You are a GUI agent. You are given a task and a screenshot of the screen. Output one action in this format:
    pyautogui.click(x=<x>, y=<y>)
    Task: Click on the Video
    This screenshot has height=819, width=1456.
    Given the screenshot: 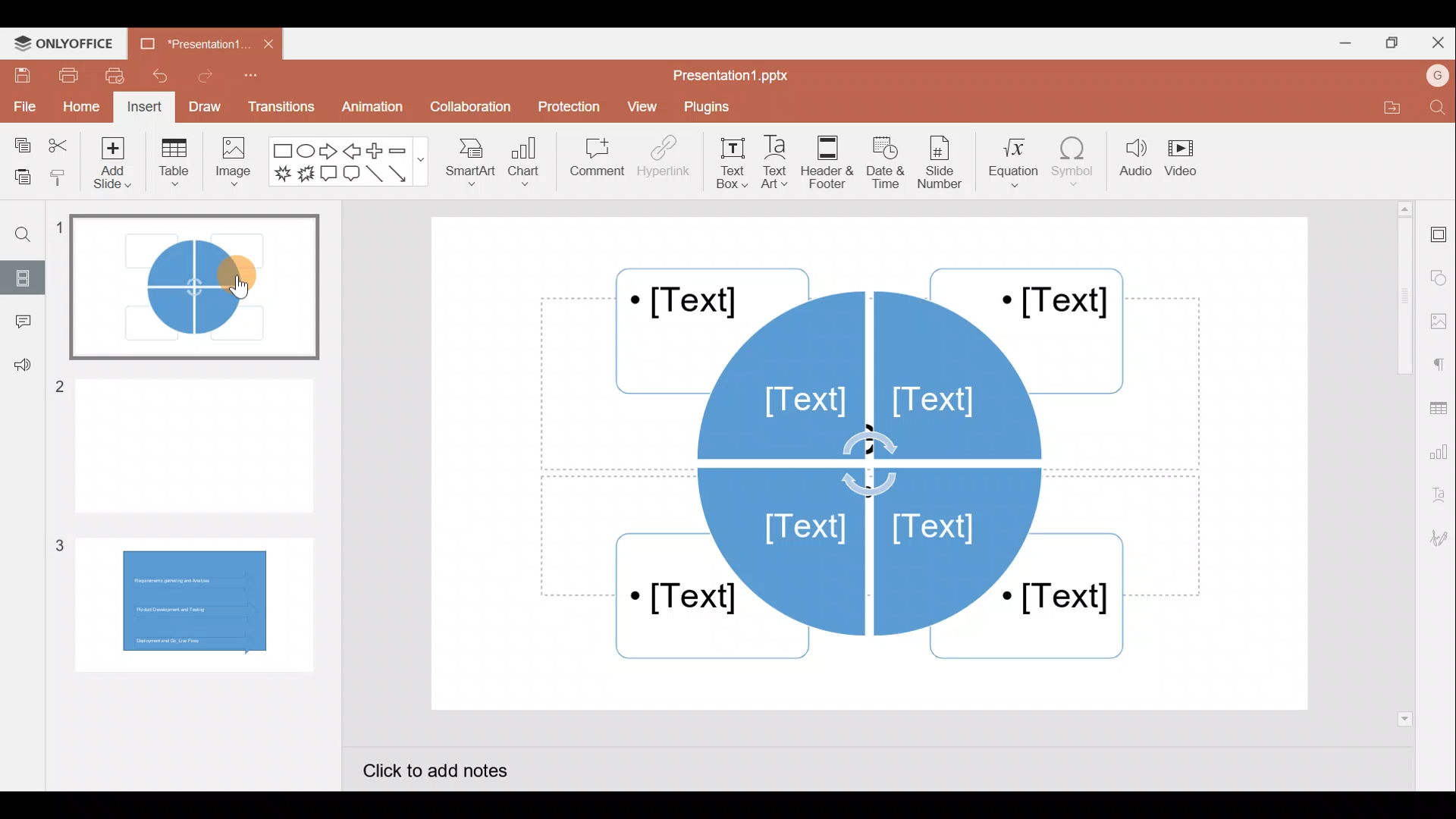 What is the action you would take?
    pyautogui.click(x=1187, y=157)
    